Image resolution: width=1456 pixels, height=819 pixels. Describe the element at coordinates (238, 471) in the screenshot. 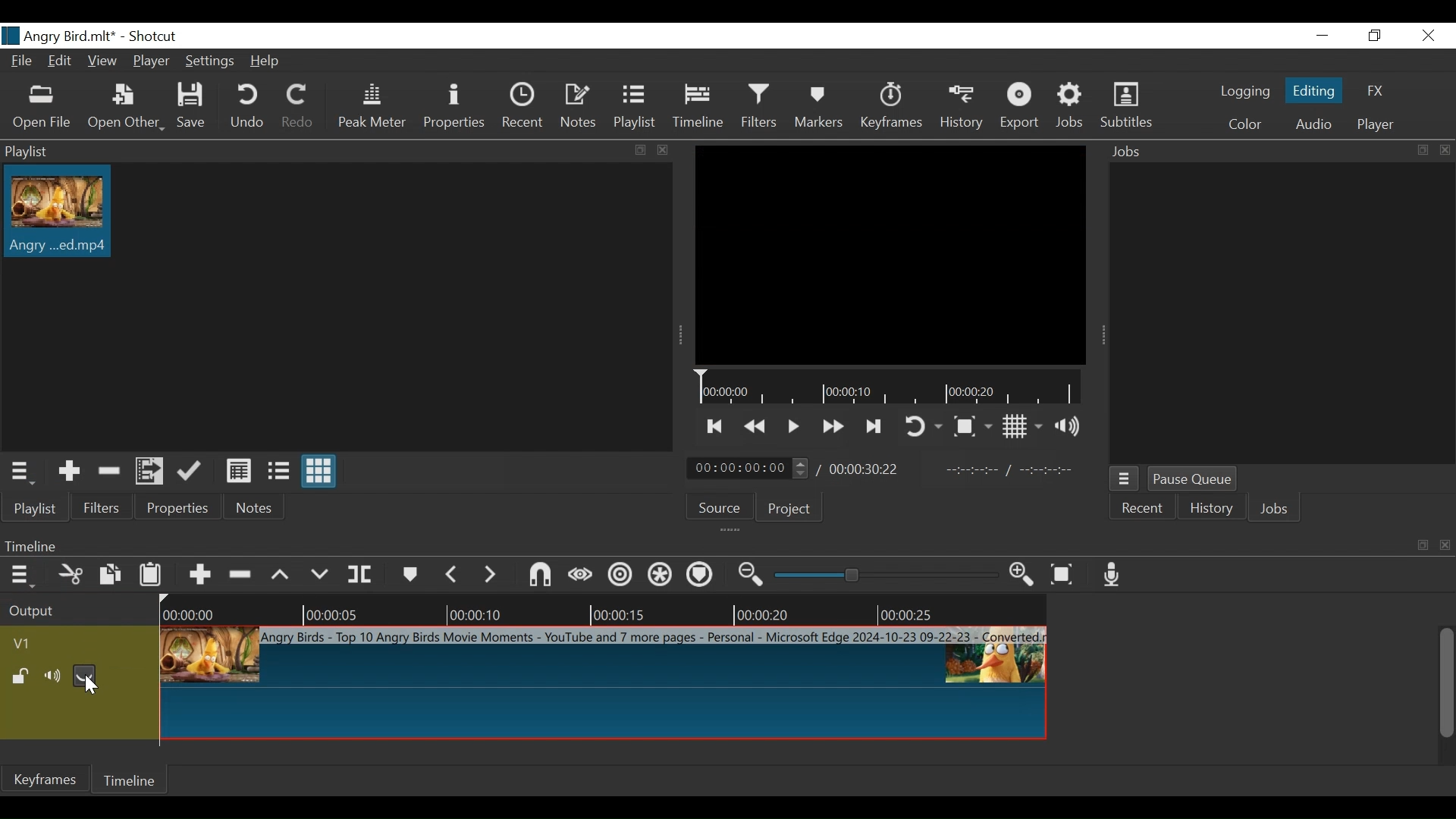

I see `View as details` at that location.